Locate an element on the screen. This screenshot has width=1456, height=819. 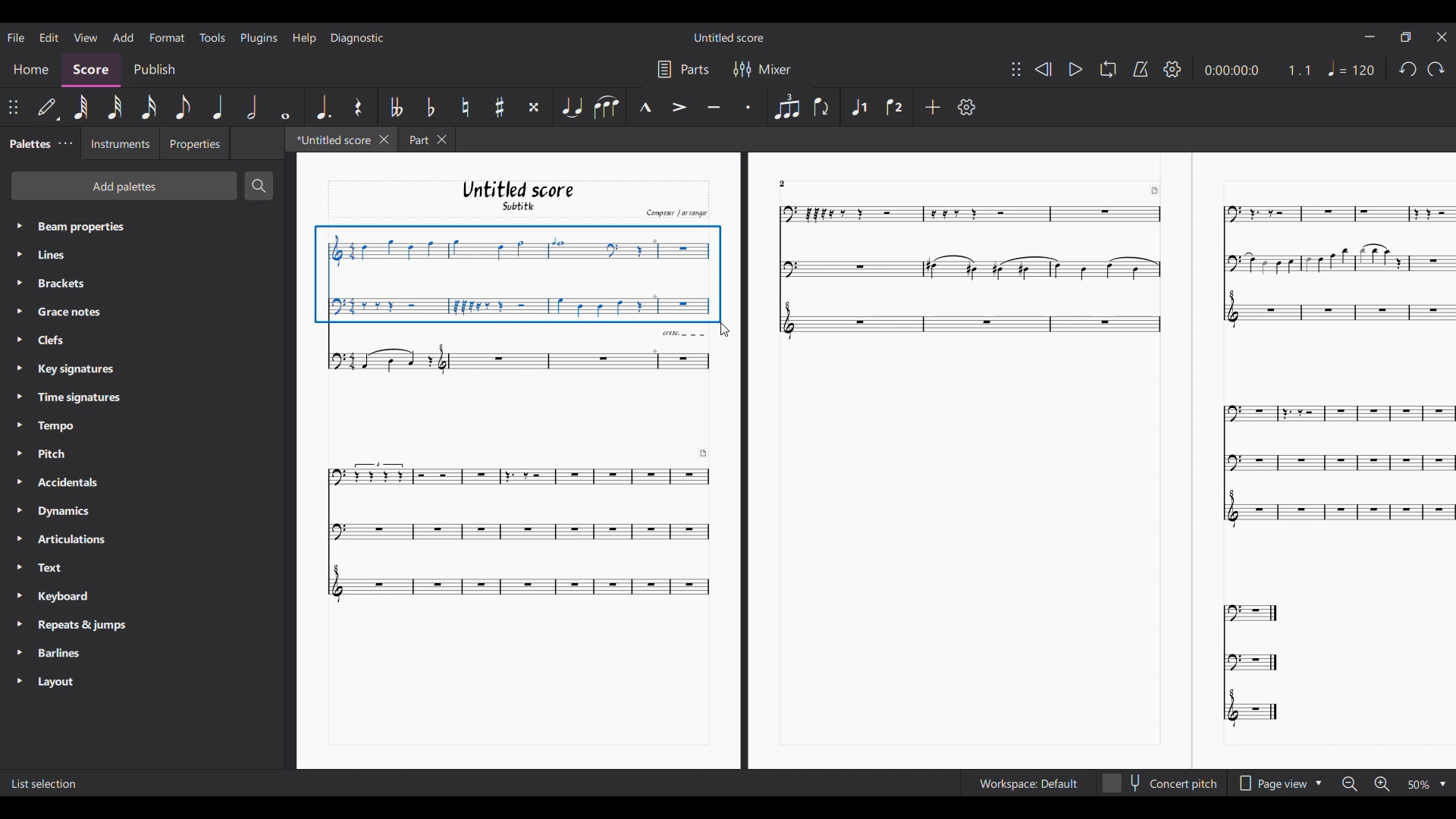
 is located at coordinates (1338, 212).